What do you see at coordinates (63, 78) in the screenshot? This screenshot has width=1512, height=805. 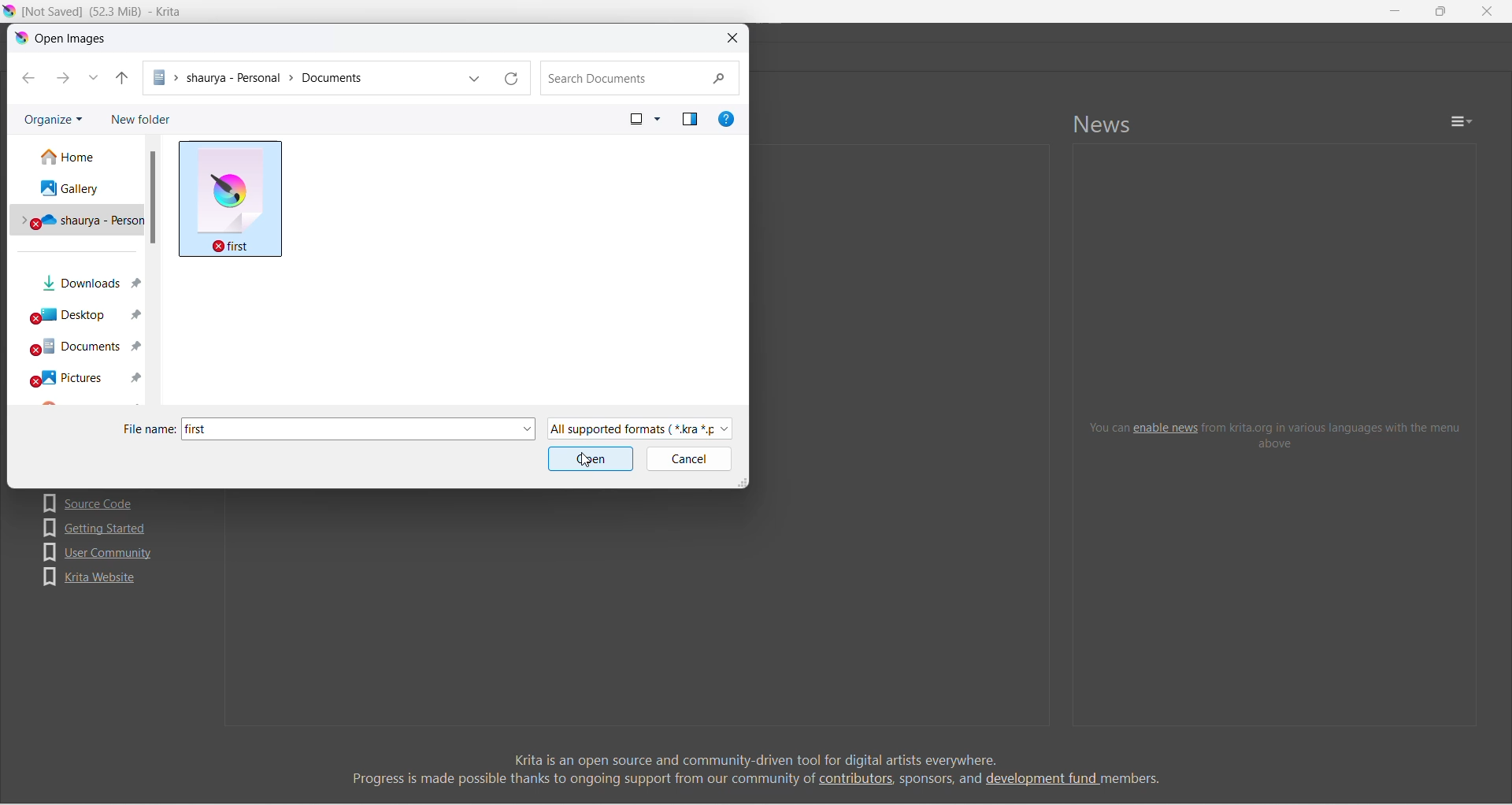 I see `forward` at bounding box center [63, 78].